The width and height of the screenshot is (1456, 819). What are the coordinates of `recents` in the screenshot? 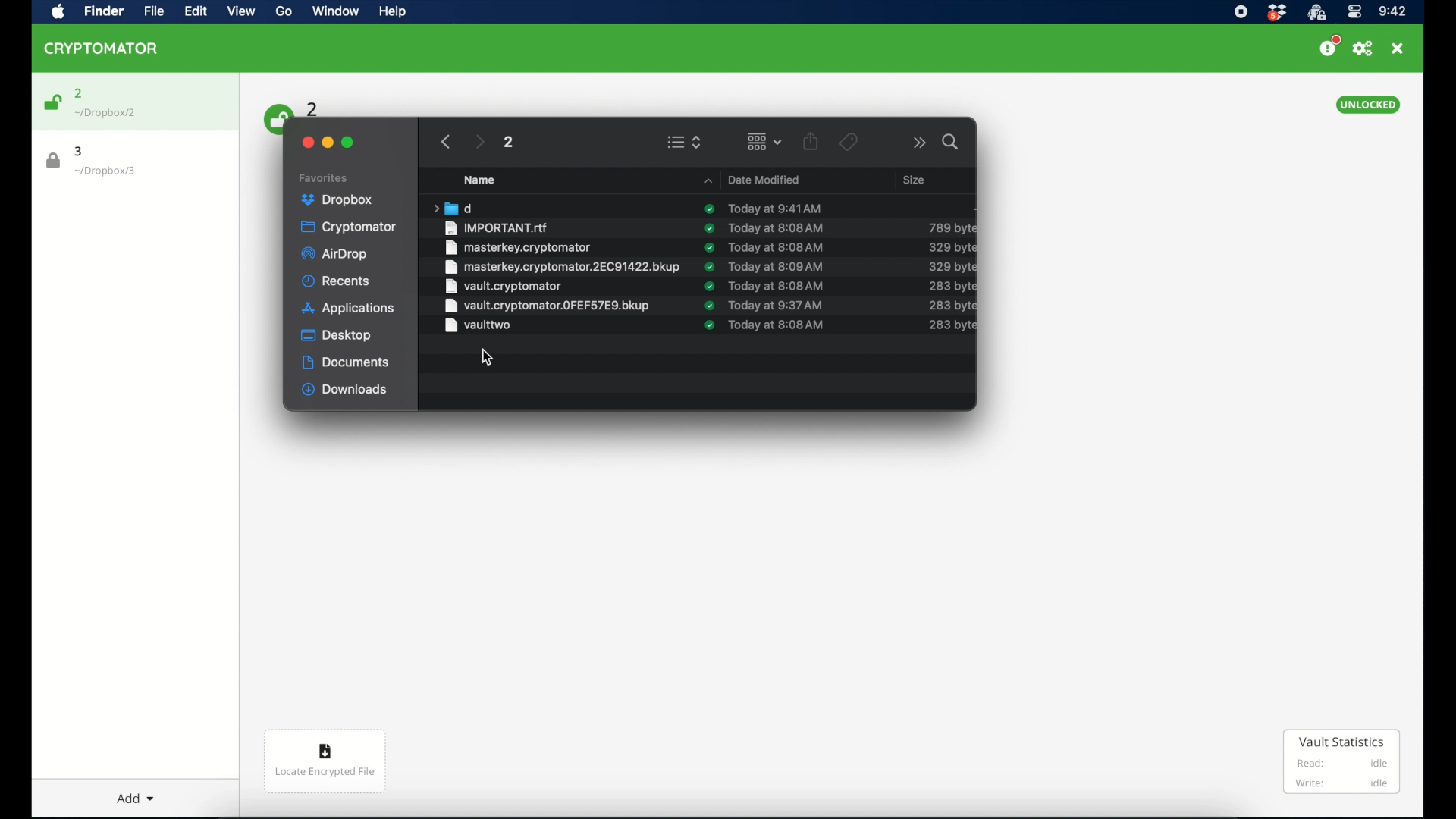 It's located at (337, 281).